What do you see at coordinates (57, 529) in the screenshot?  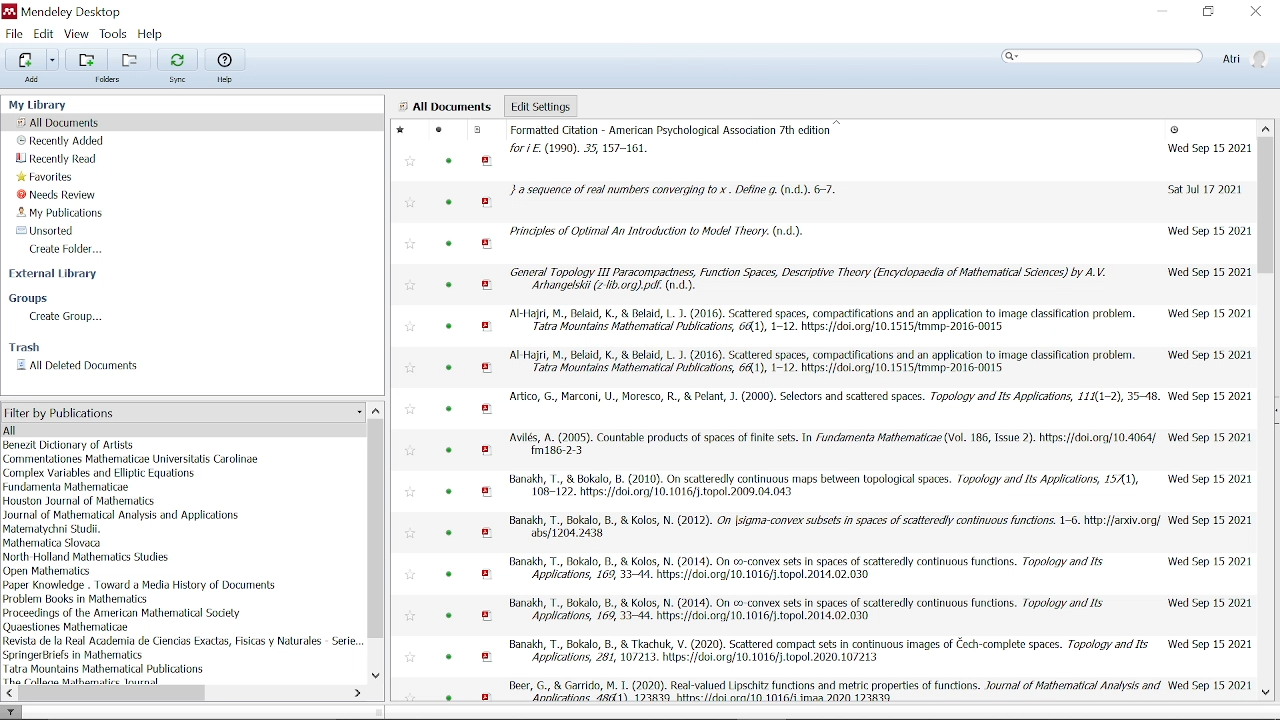 I see `author` at bounding box center [57, 529].